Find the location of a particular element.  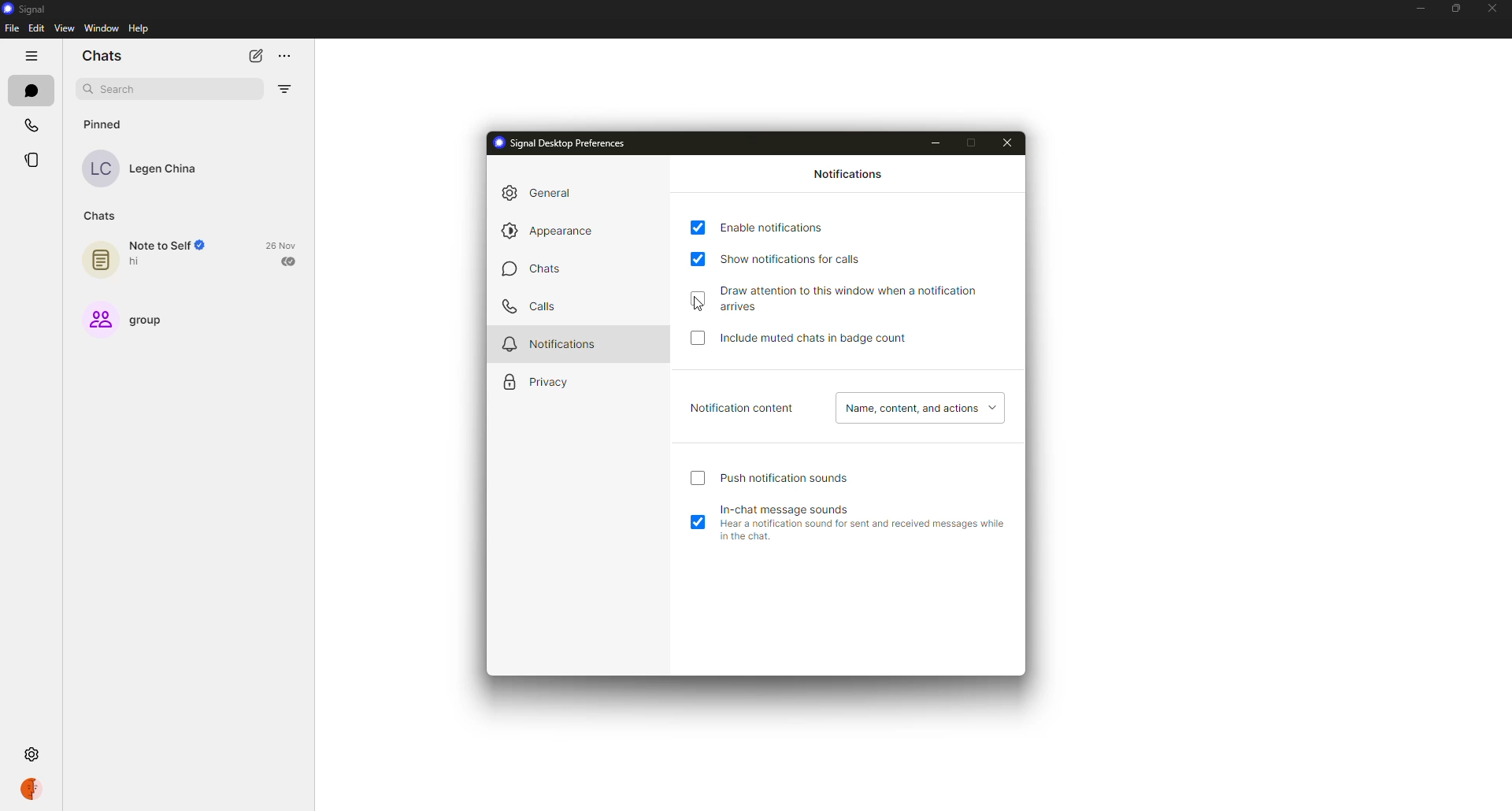

Note to Self is located at coordinates (169, 246).